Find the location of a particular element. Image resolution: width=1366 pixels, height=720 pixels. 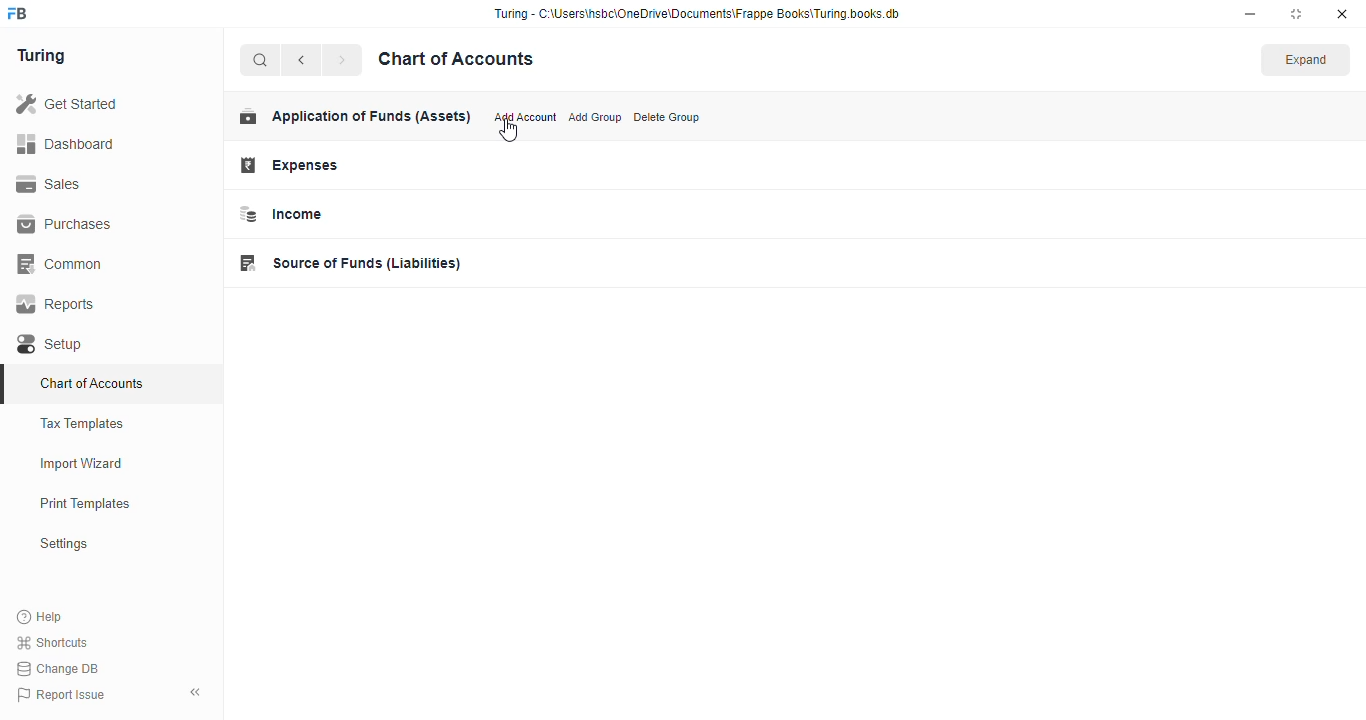

purchases is located at coordinates (67, 225).